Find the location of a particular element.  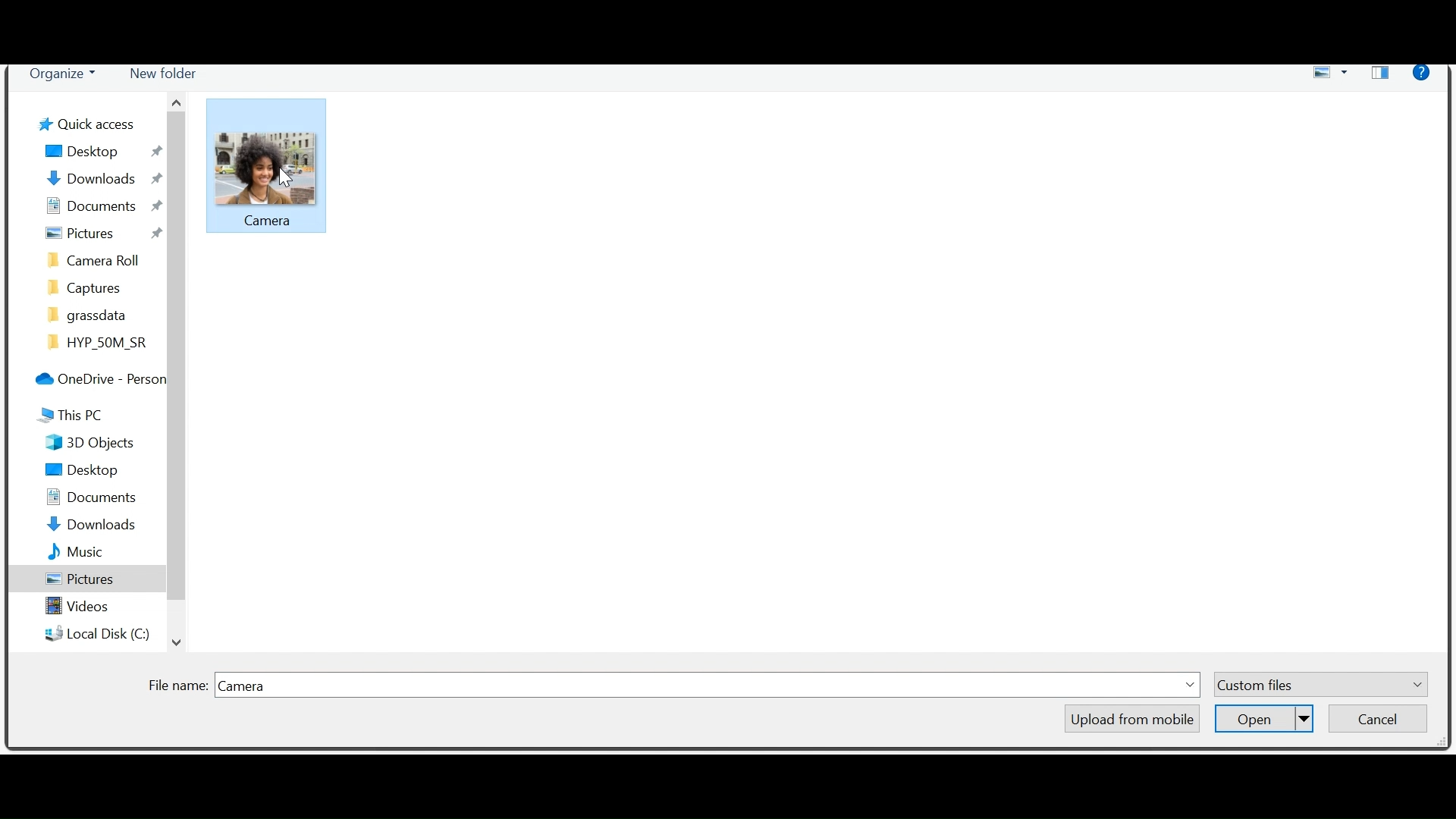

grassdata is located at coordinates (89, 317).